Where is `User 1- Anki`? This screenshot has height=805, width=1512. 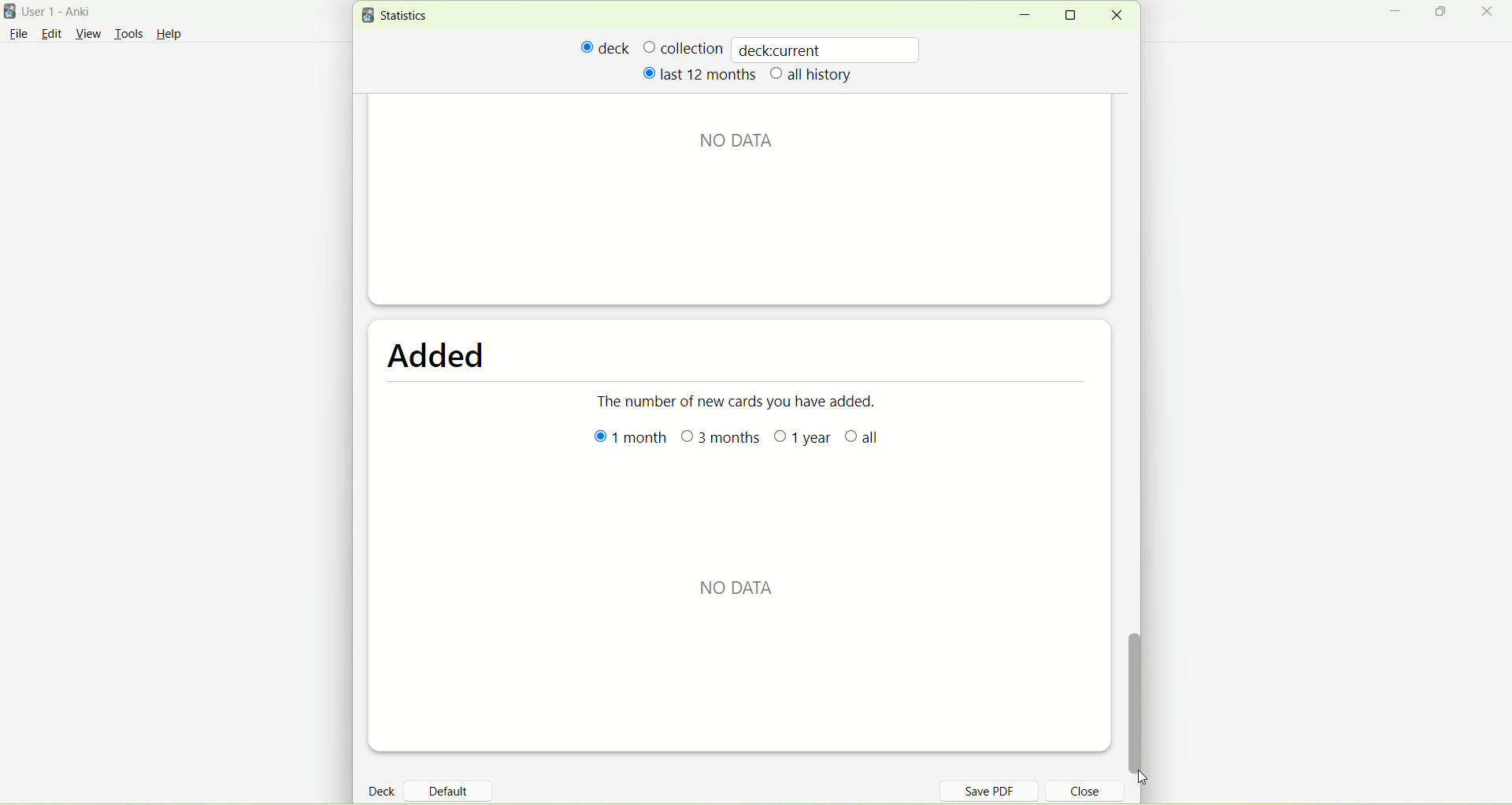
User 1- Anki is located at coordinates (67, 14).